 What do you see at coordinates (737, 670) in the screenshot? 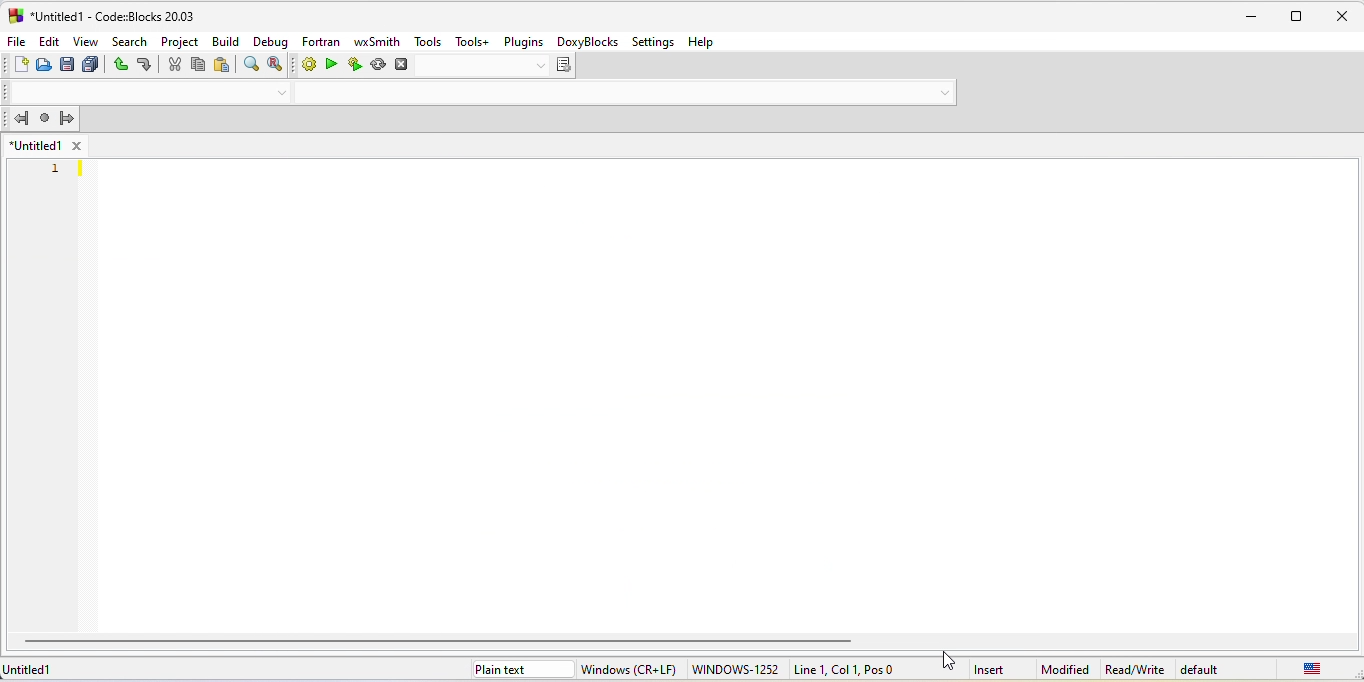
I see `windows 1252` at bounding box center [737, 670].